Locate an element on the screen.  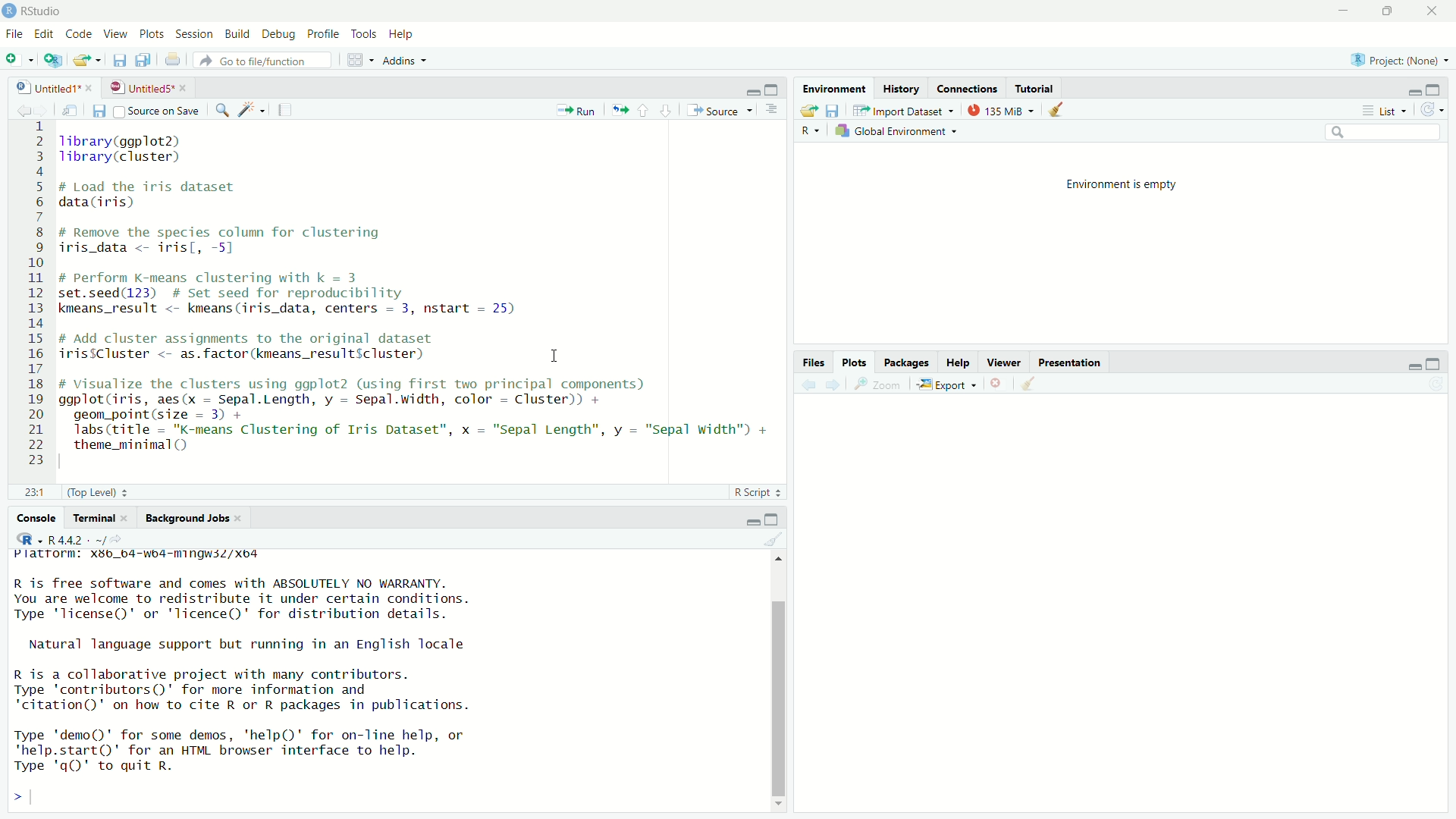
go to next section/chunk is located at coordinates (667, 111).